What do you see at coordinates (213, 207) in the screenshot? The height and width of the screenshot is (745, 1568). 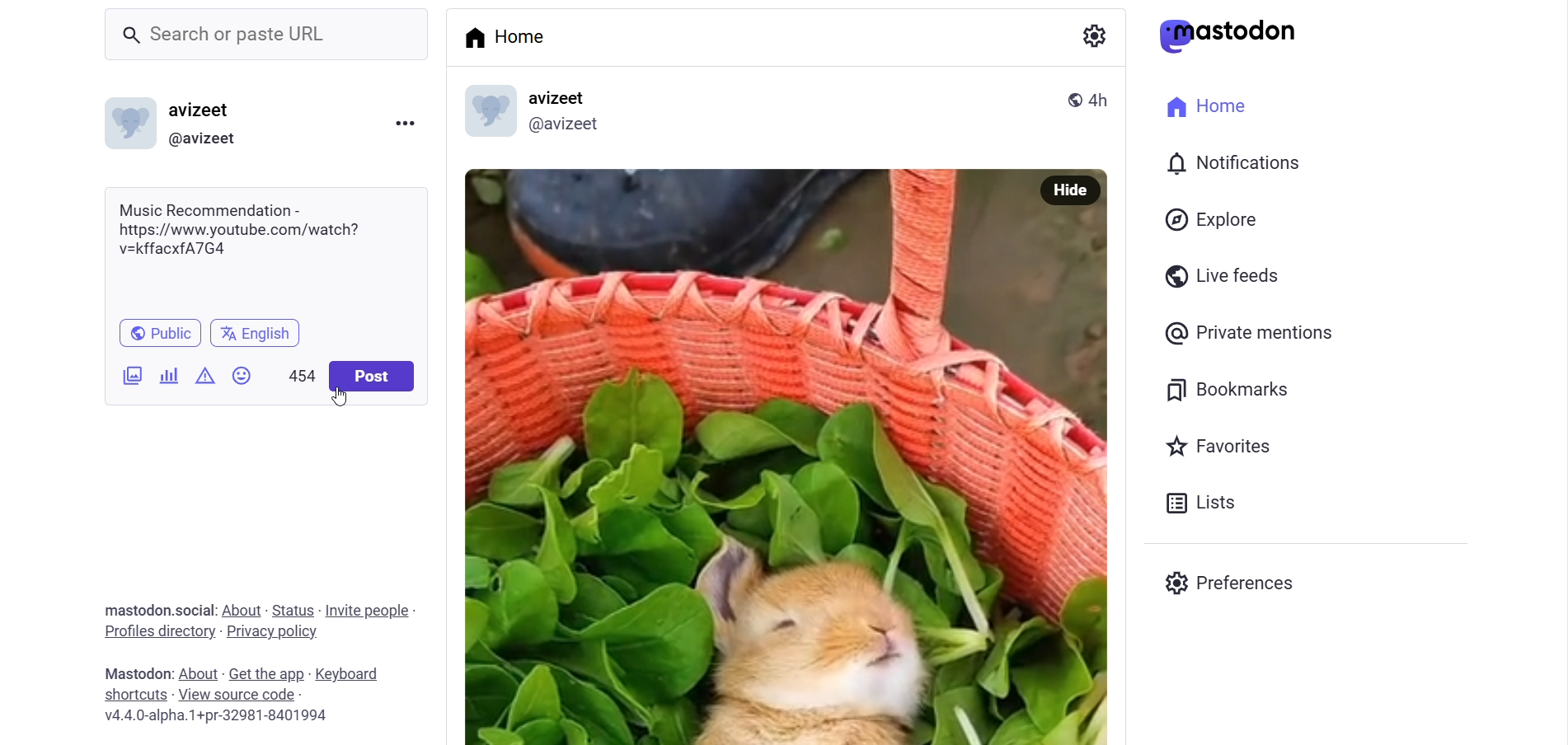 I see `Music Recommendation` at bounding box center [213, 207].